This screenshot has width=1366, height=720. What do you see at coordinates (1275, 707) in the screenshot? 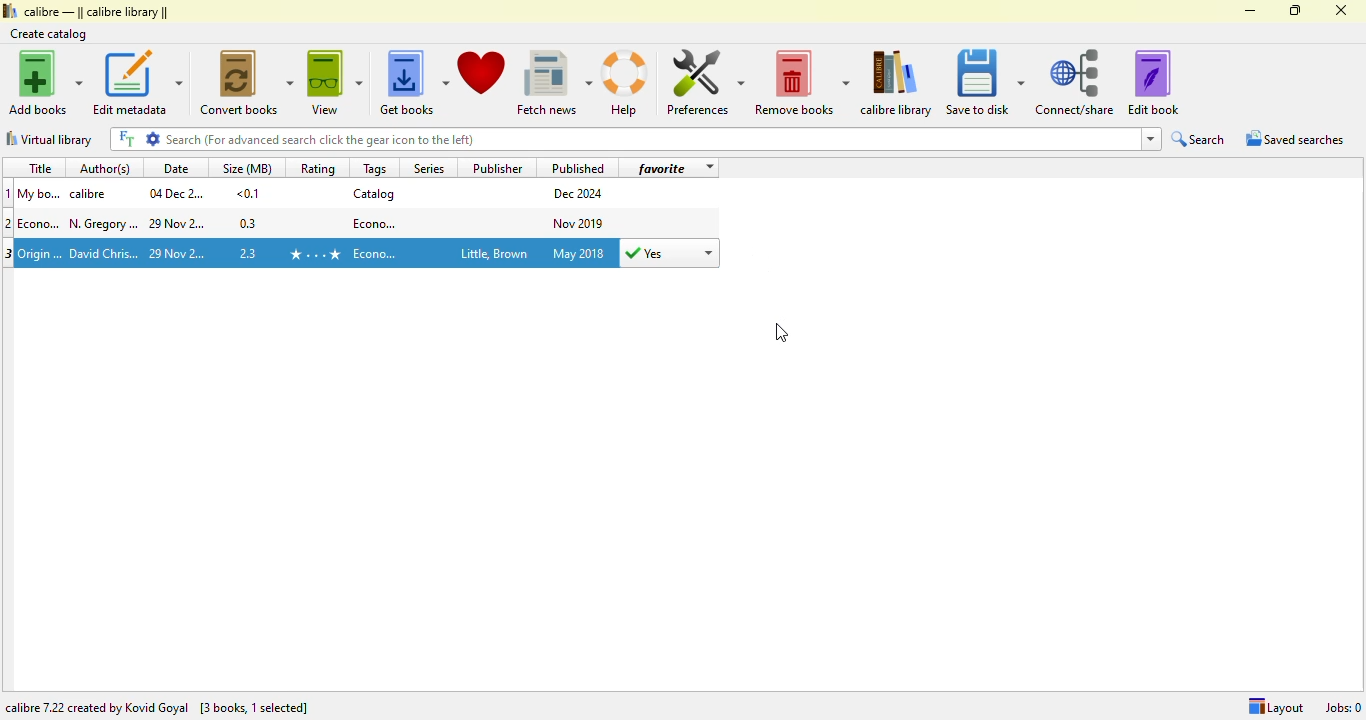
I see `Layout` at bounding box center [1275, 707].